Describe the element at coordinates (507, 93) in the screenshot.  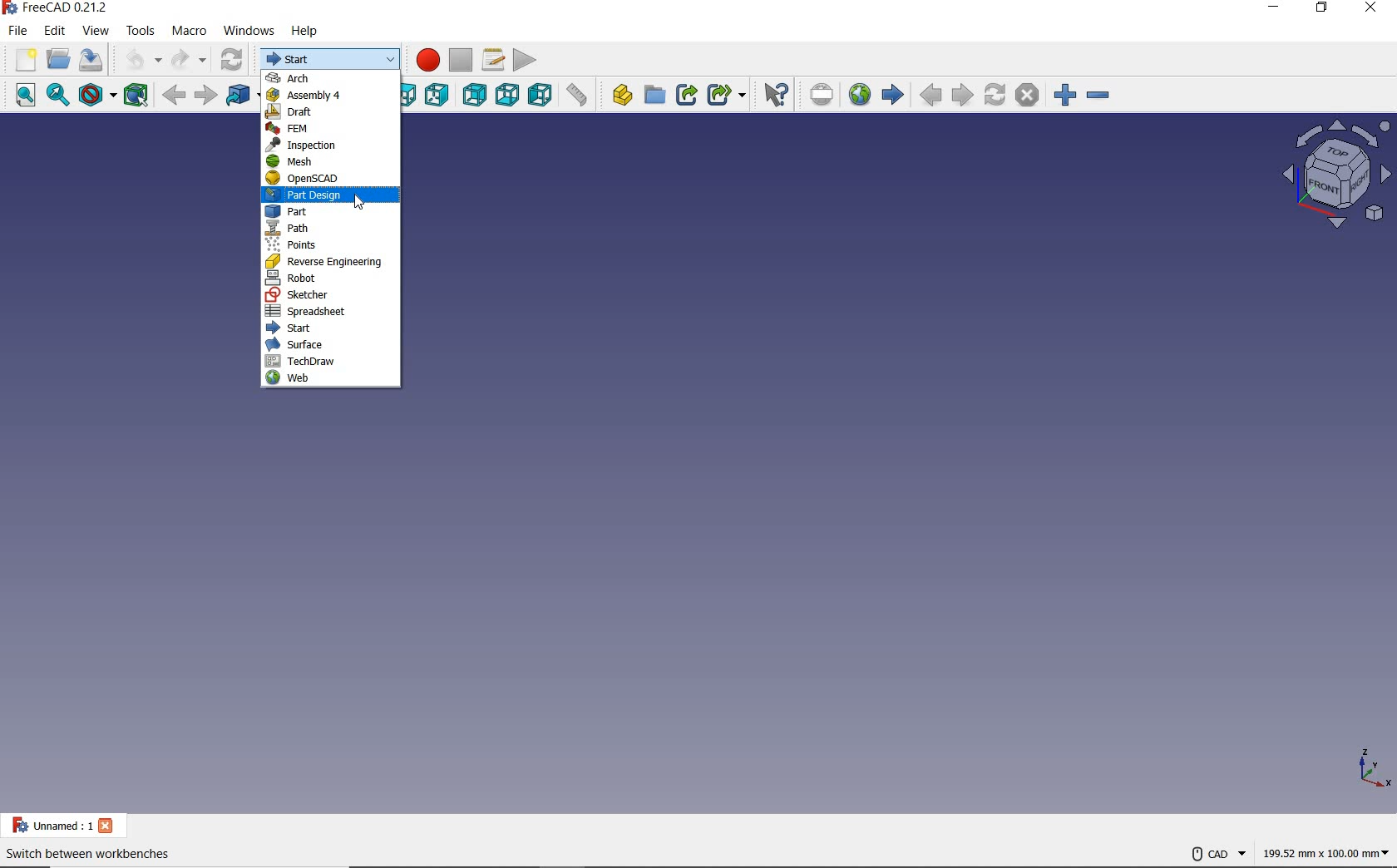
I see `BOTTOM` at that location.